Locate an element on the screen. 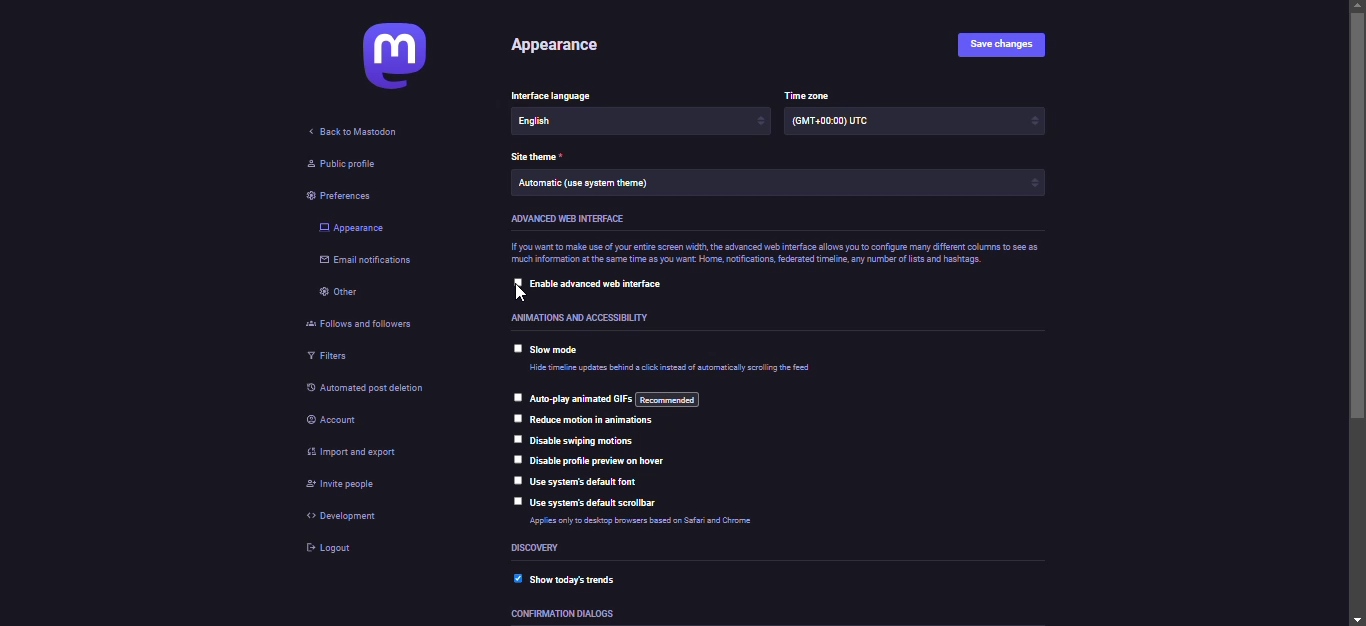 The width and height of the screenshot is (1366, 626). discovery is located at coordinates (536, 547).